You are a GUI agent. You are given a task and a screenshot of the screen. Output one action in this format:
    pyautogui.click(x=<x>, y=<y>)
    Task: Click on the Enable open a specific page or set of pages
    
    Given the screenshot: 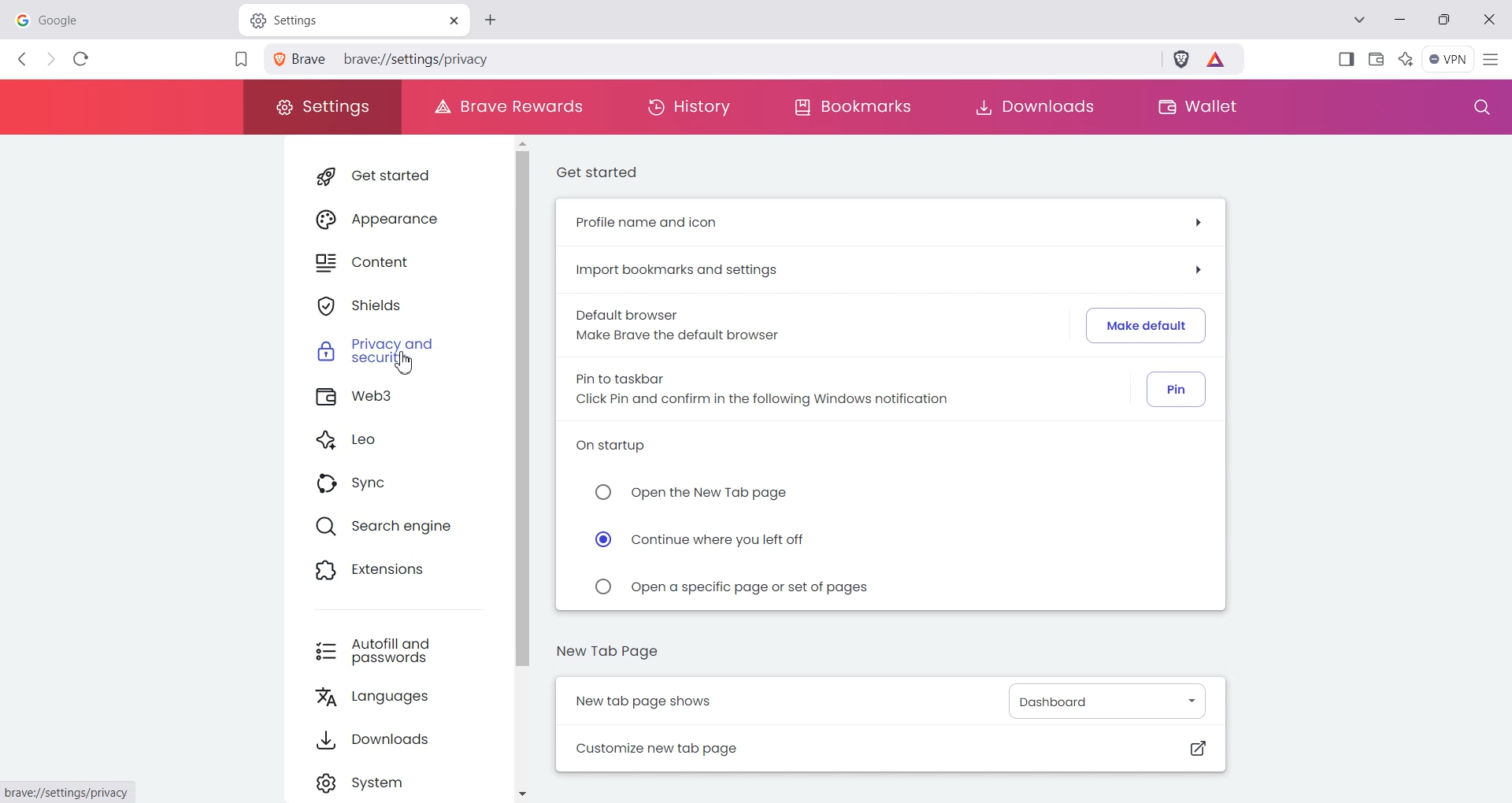 What is the action you would take?
    pyautogui.click(x=729, y=586)
    